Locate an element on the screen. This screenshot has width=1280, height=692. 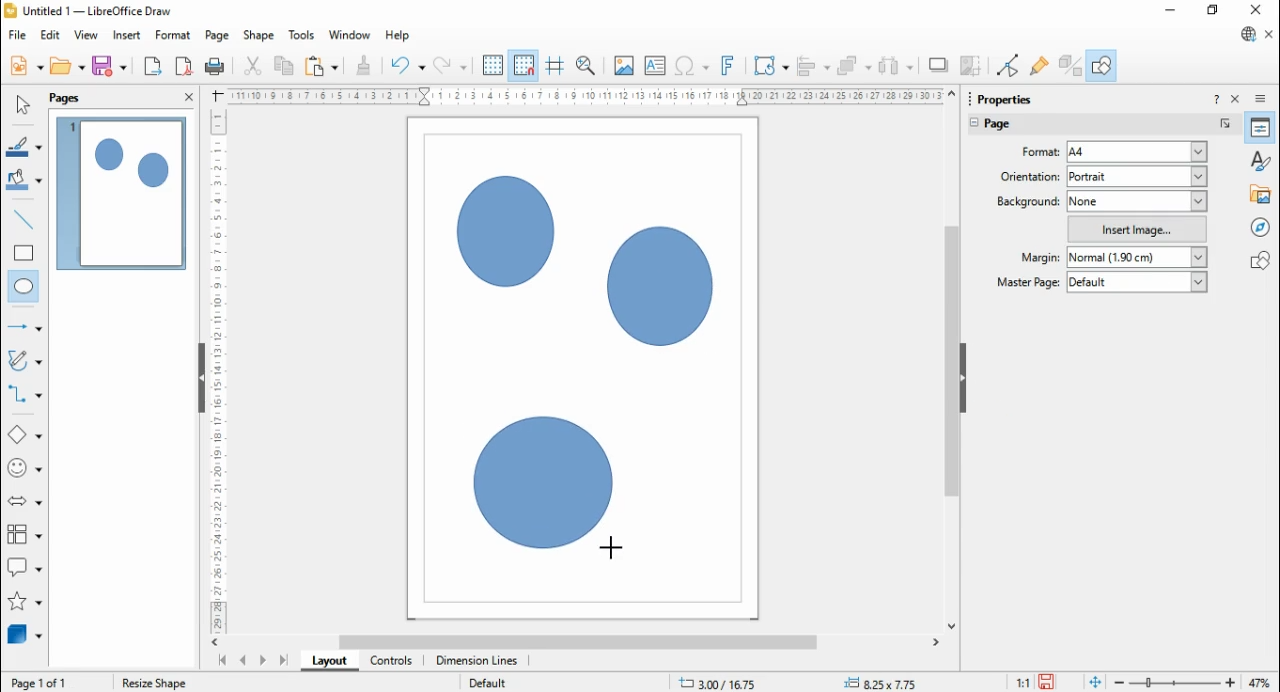
11 is located at coordinates (1024, 682).